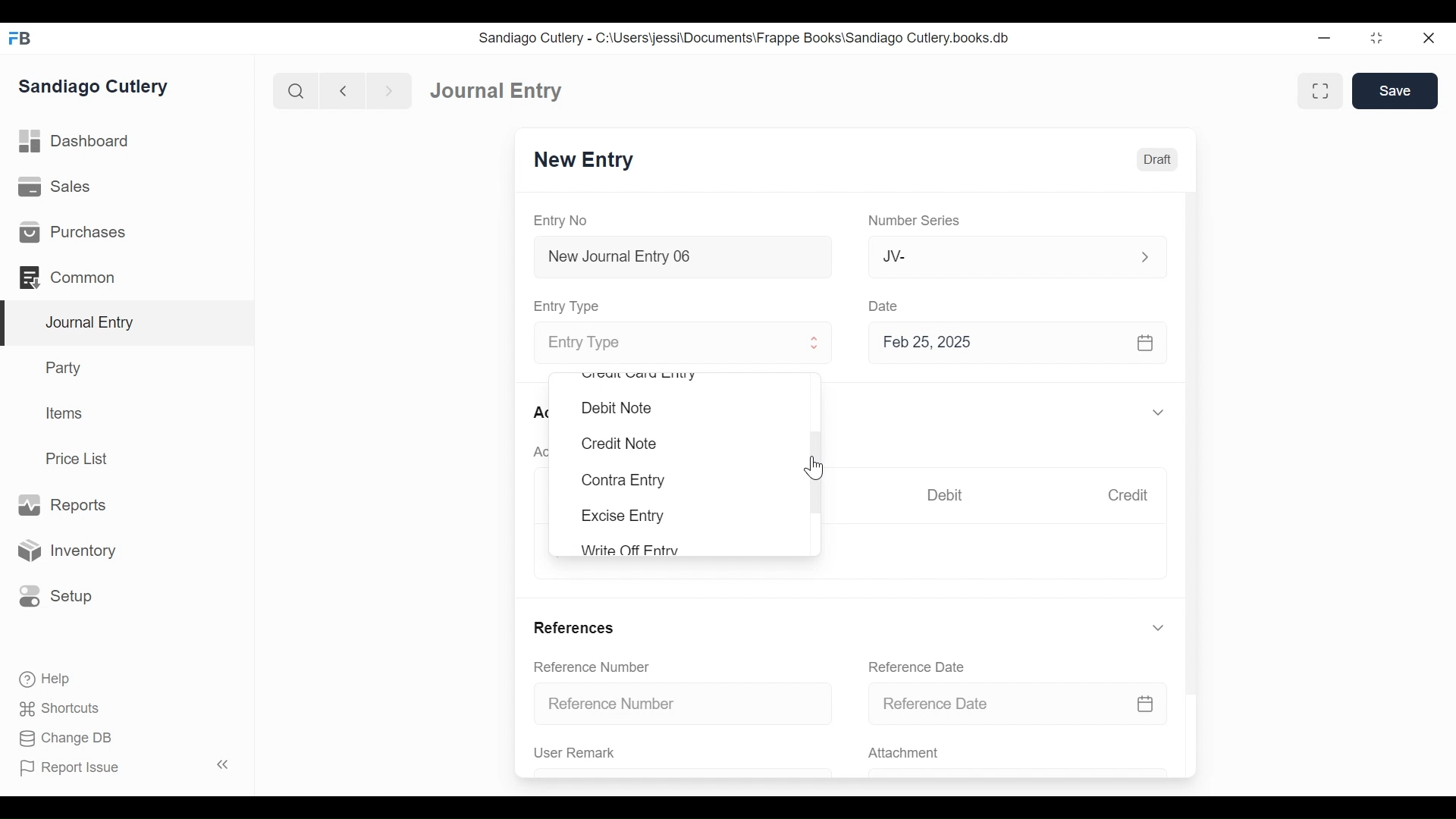  I want to click on Purchases, so click(71, 232).